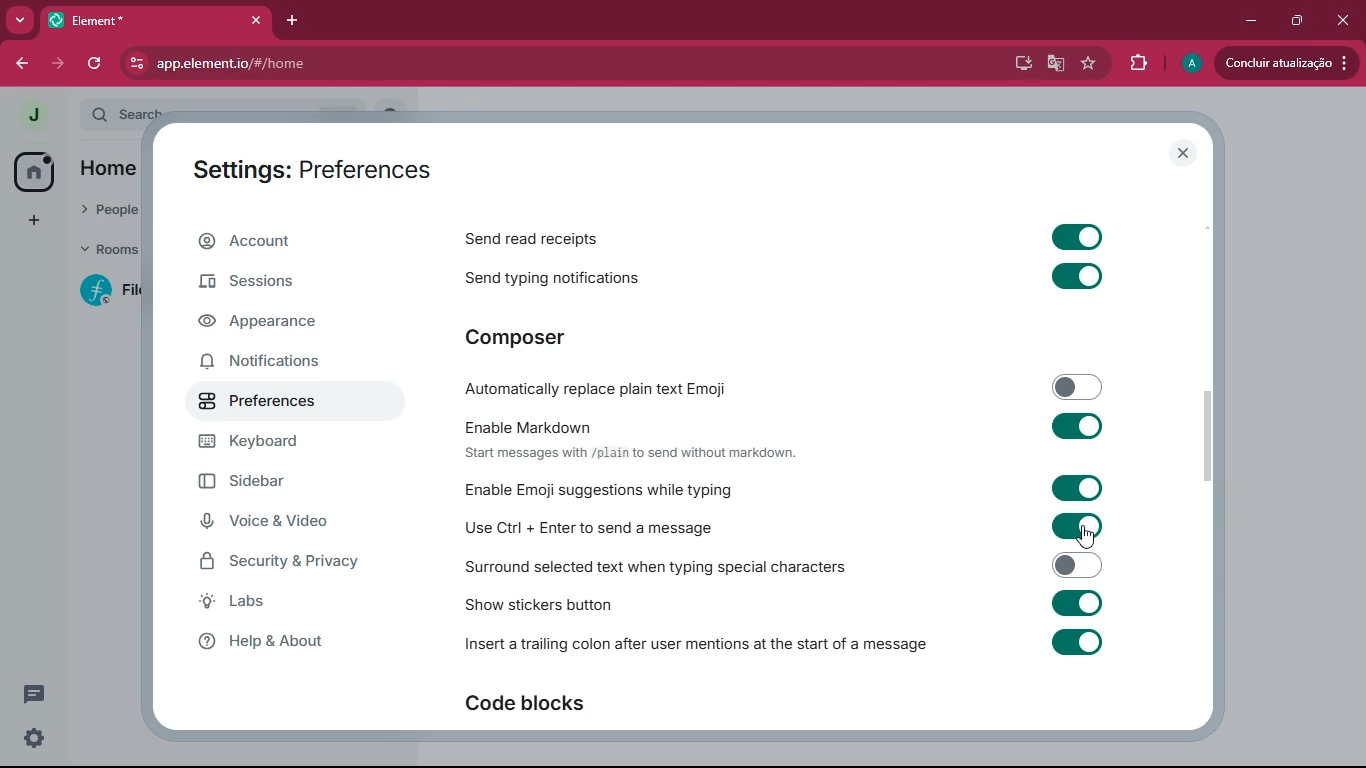  I want to click on add tab, so click(294, 21).